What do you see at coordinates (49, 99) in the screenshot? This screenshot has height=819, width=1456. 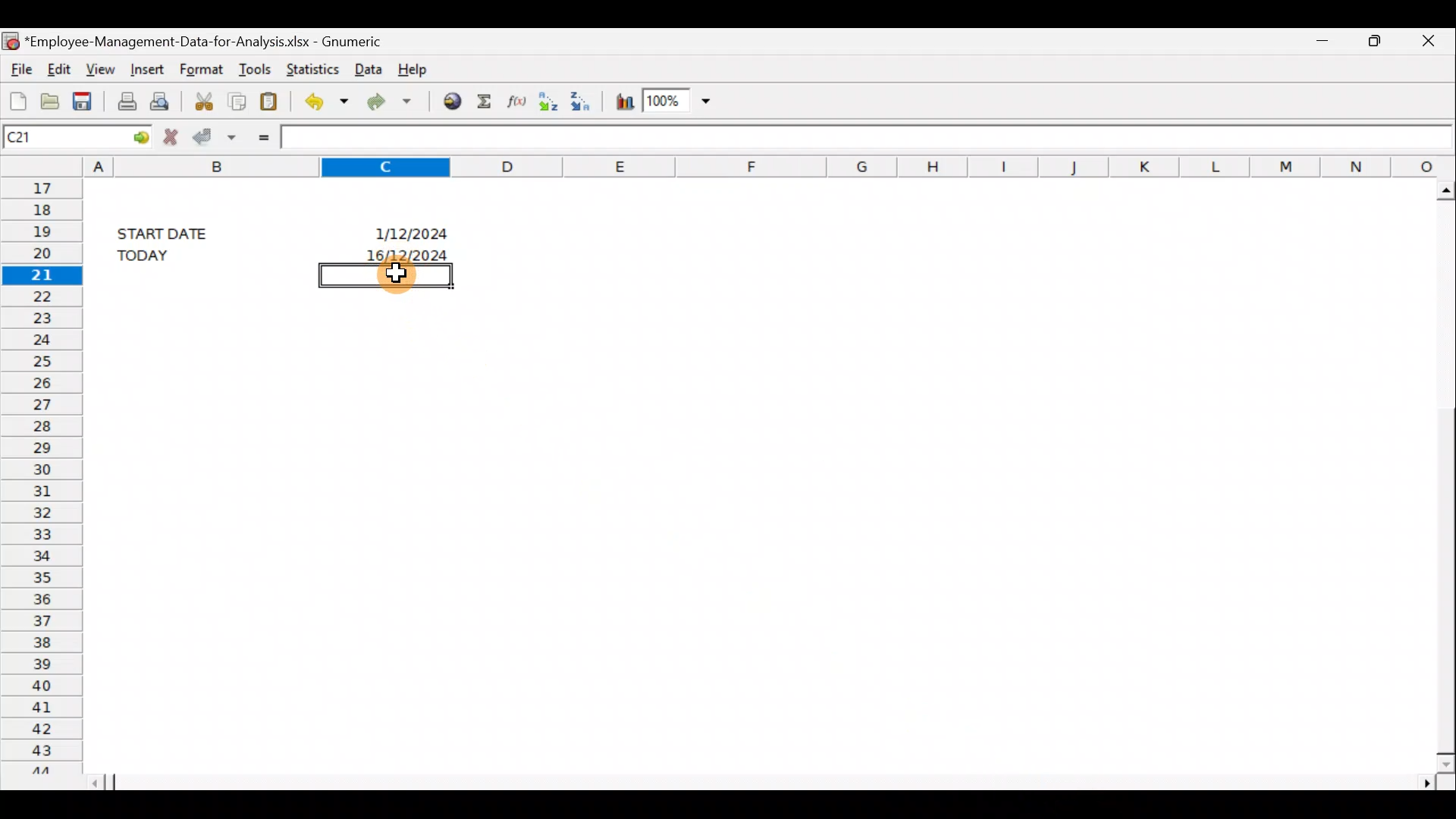 I see `Open a file` at bounding box center [49, 99].